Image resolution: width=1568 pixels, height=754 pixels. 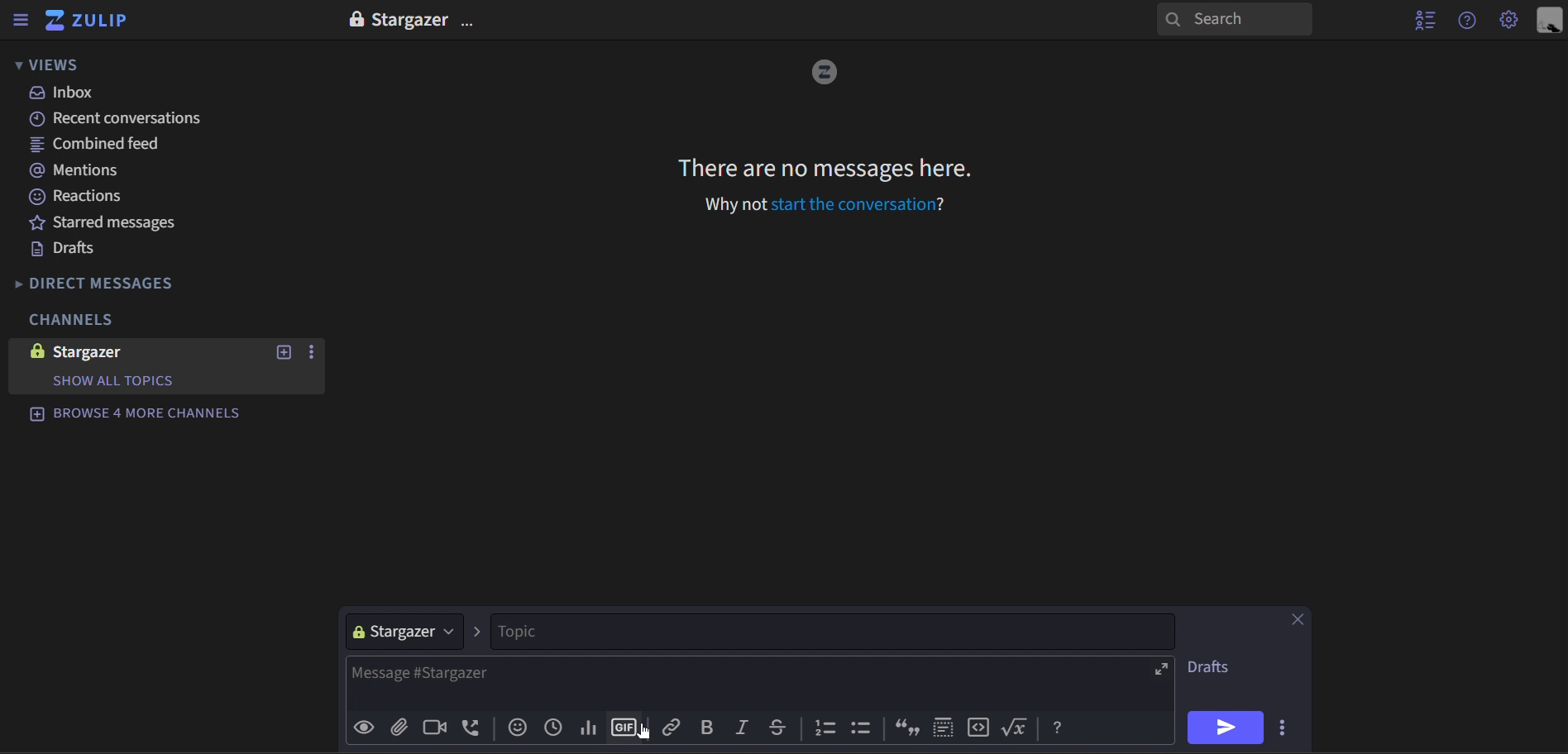 I want to click on personal menu, so click(x=1547, y=20).